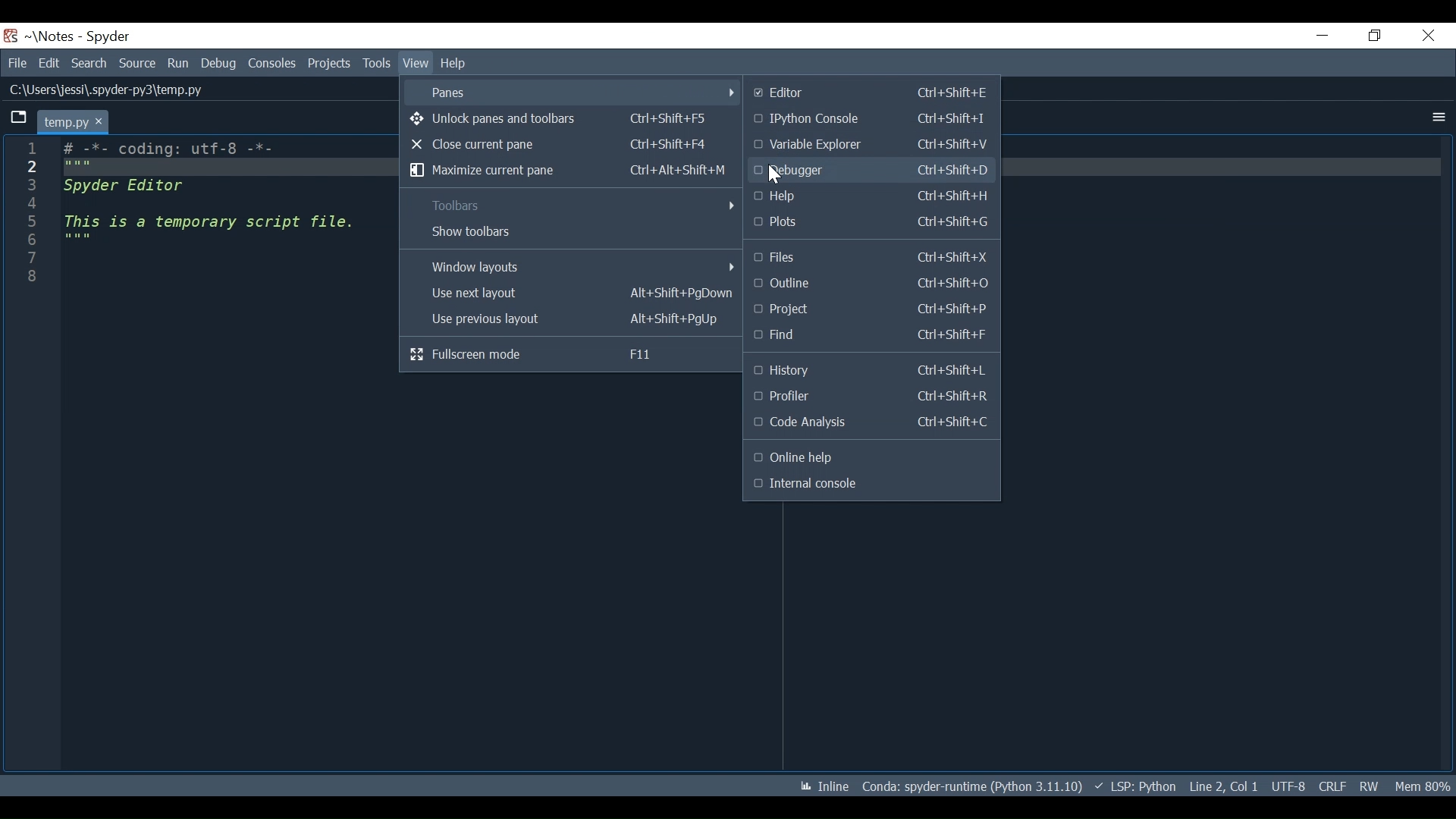 This screenshot has height=819, width=1456. What do you see at coordinates (1370, 786) in the screenshot?
I see `RW` at bounding box center [1370, 786].